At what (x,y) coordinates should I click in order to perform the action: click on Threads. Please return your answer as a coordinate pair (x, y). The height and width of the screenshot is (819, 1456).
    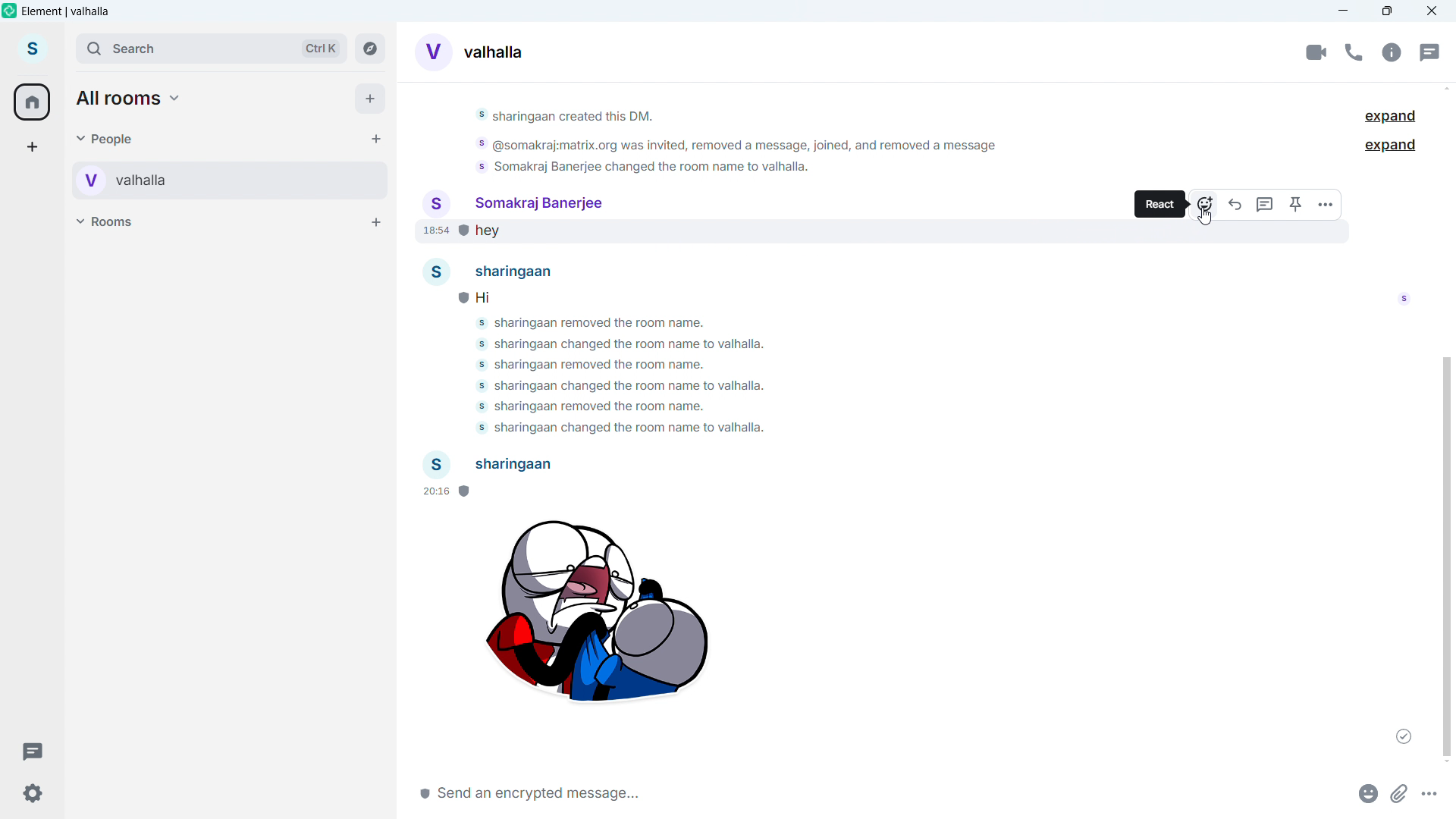
    Looking at the image, I should click on (32, 749).